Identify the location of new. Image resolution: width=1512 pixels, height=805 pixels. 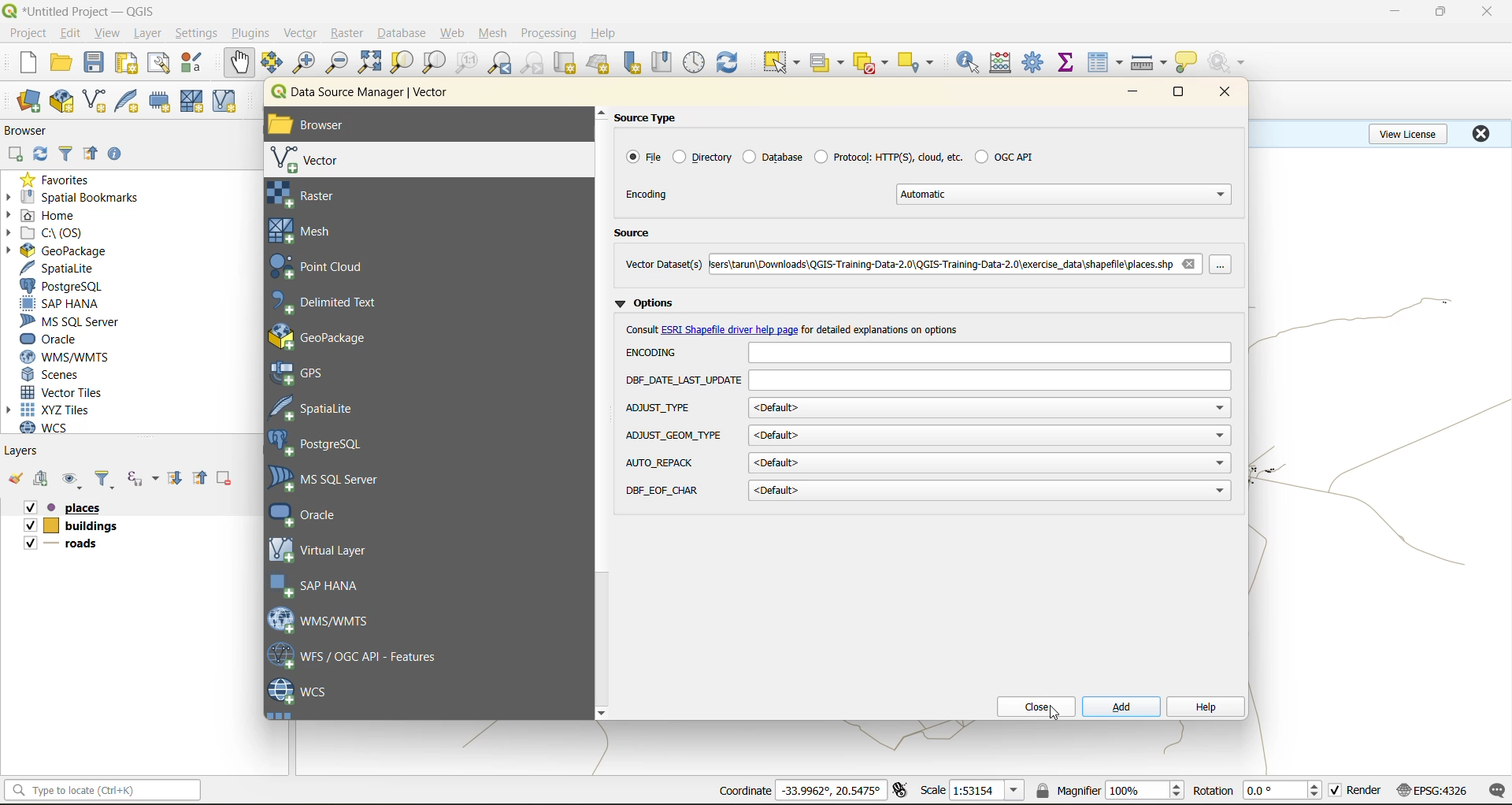
(26, 62).